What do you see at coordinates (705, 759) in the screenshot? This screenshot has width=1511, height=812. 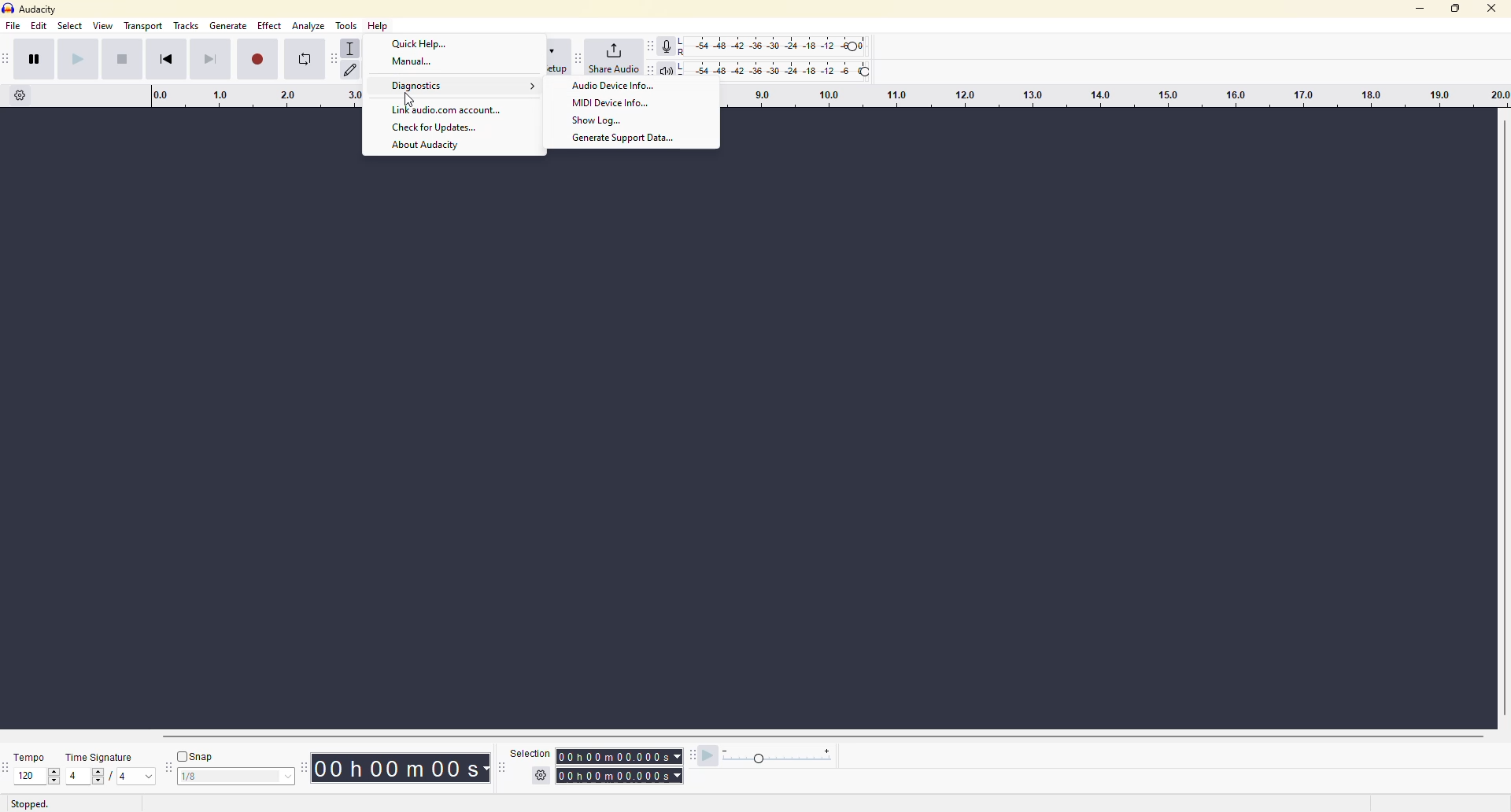 I see `play at speed` at bounding box center [705, 759].